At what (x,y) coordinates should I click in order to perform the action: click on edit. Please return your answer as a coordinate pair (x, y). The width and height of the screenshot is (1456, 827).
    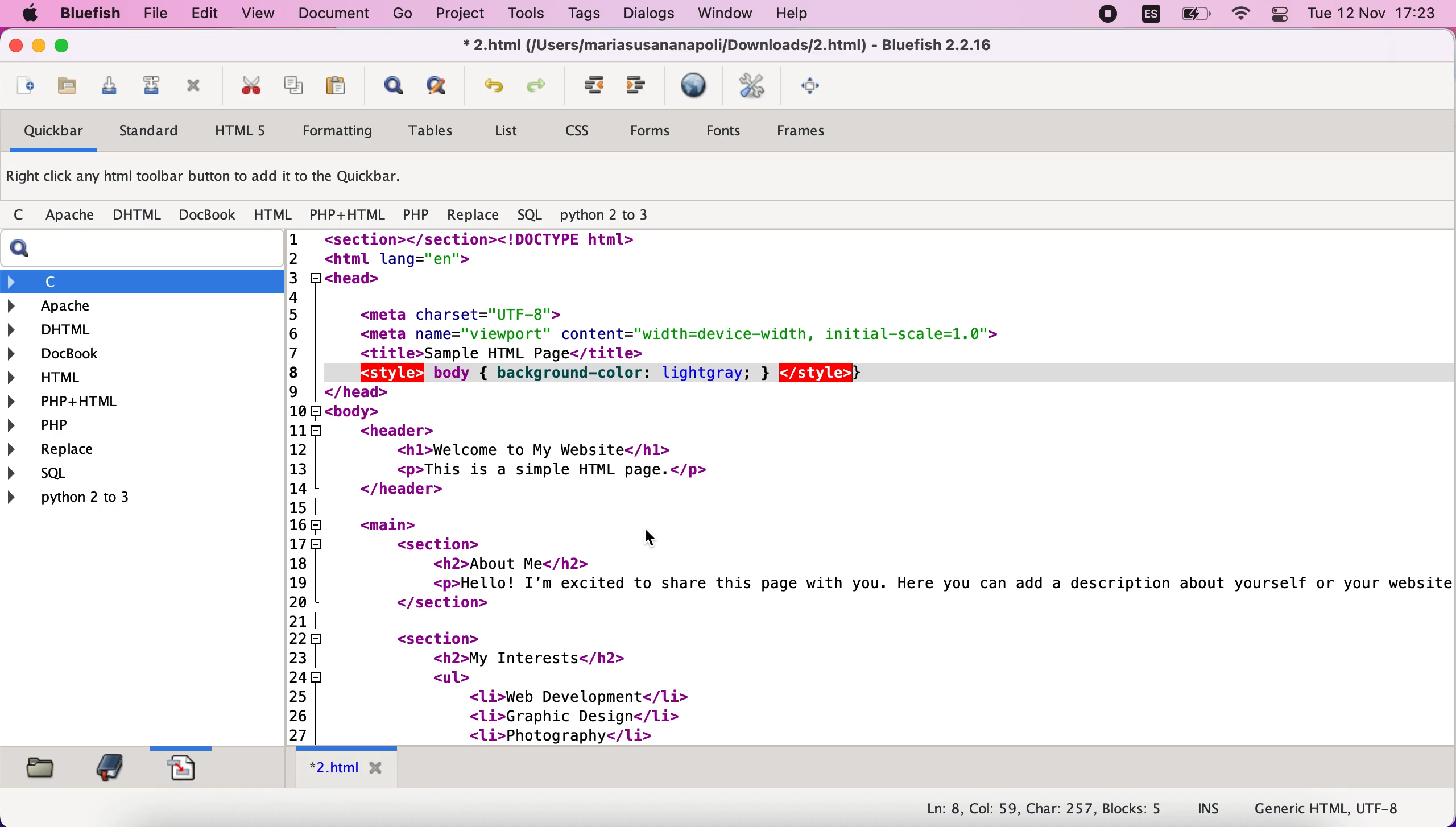
    Looking at the image, I should click on (208, 15).